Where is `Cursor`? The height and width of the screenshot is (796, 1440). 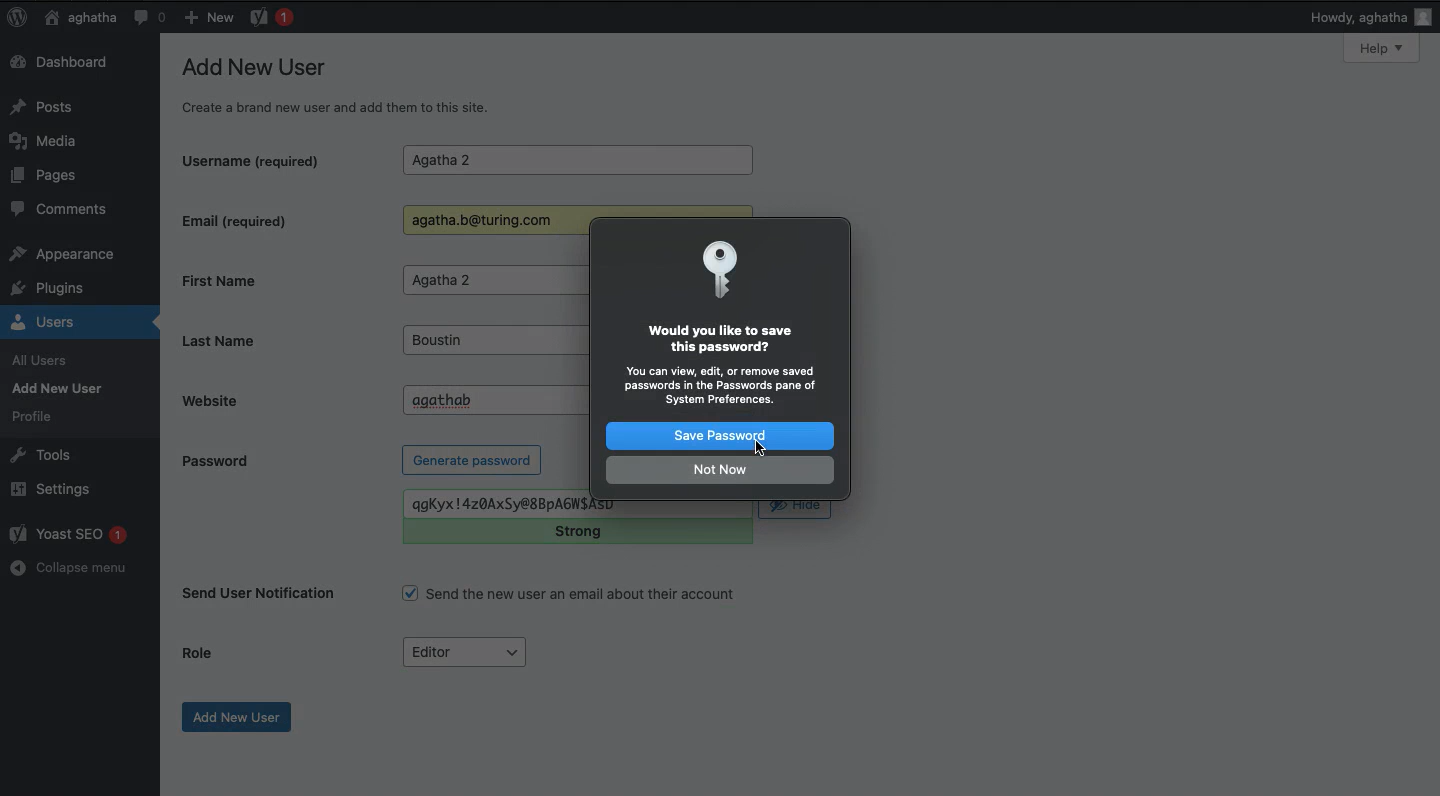
Cursor is located at coordinates (758, 447).